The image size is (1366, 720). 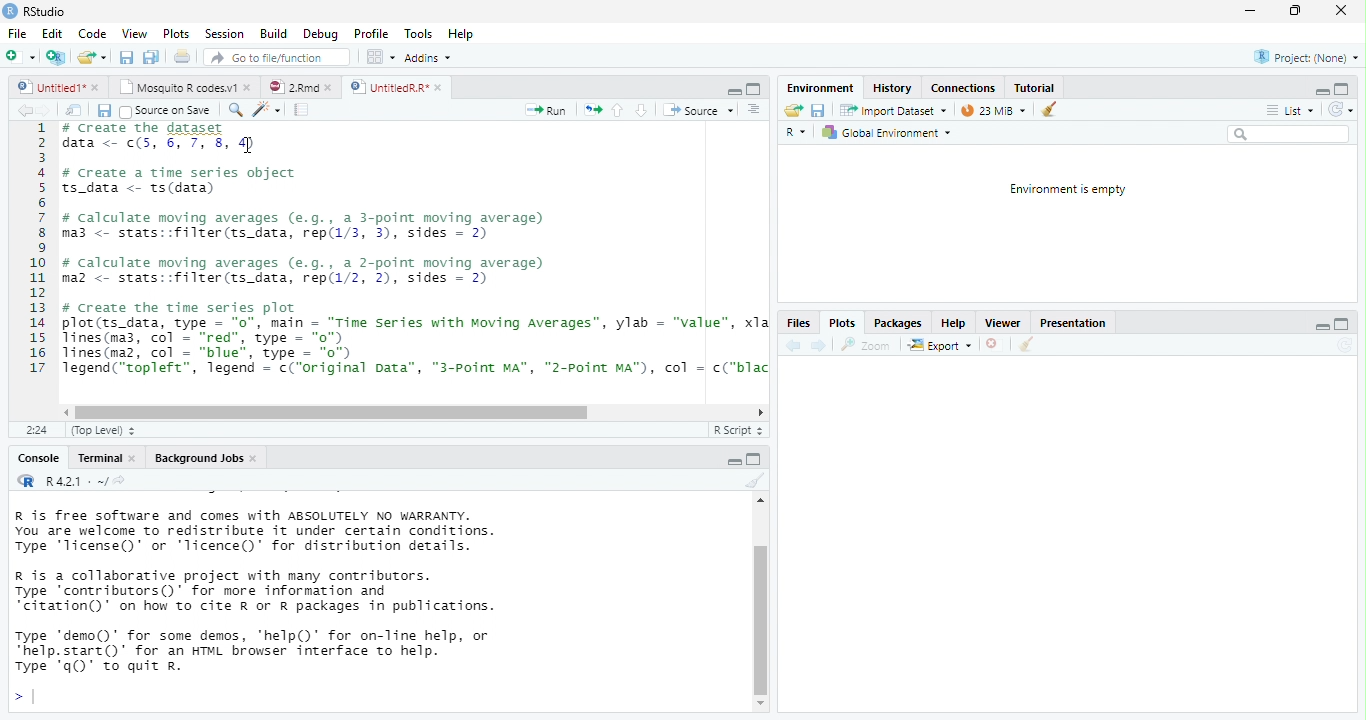 I want to click on maximize, so click(x=1295, y=11).